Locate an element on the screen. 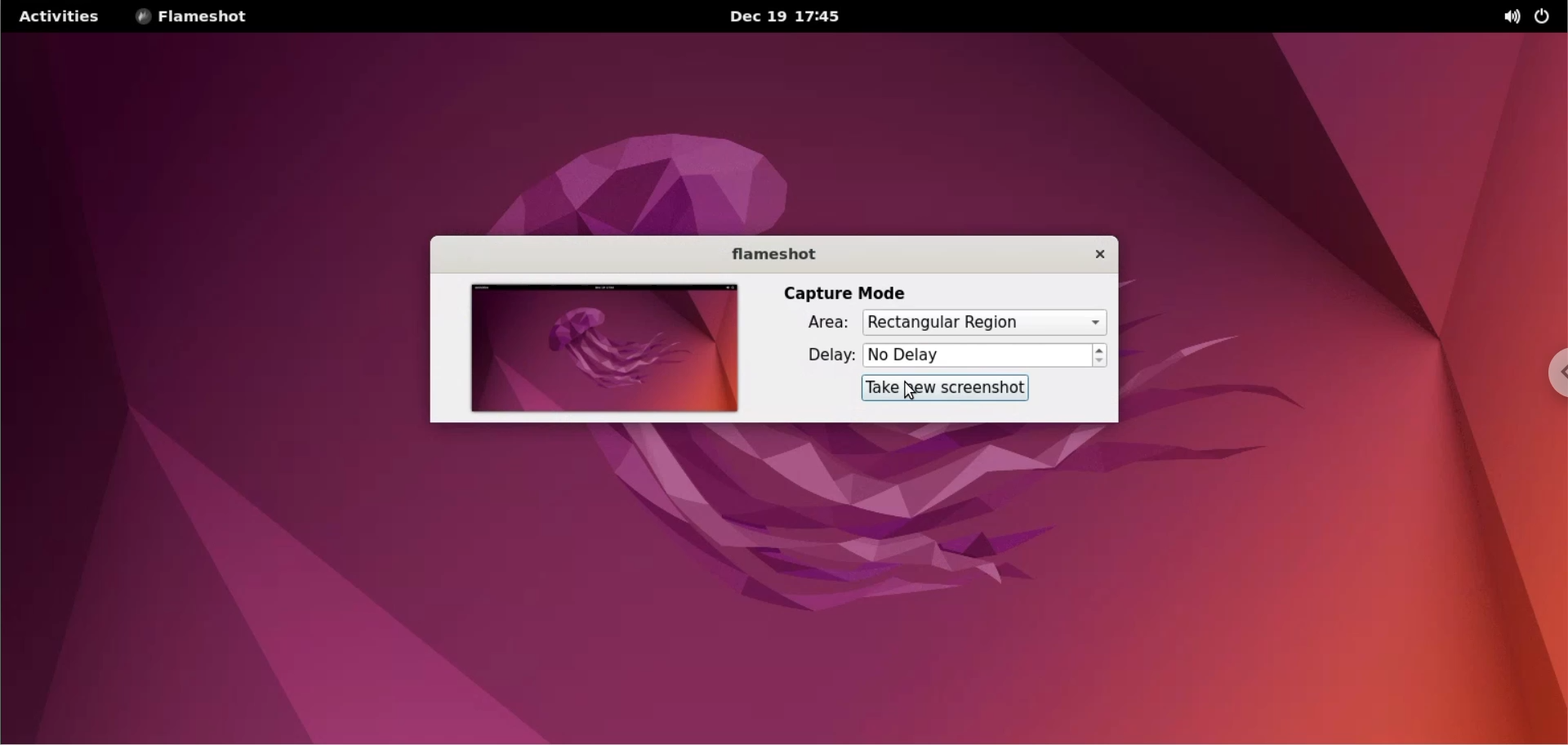 The image size is (1568, 745). delay label is located at coordinates (826, 356).